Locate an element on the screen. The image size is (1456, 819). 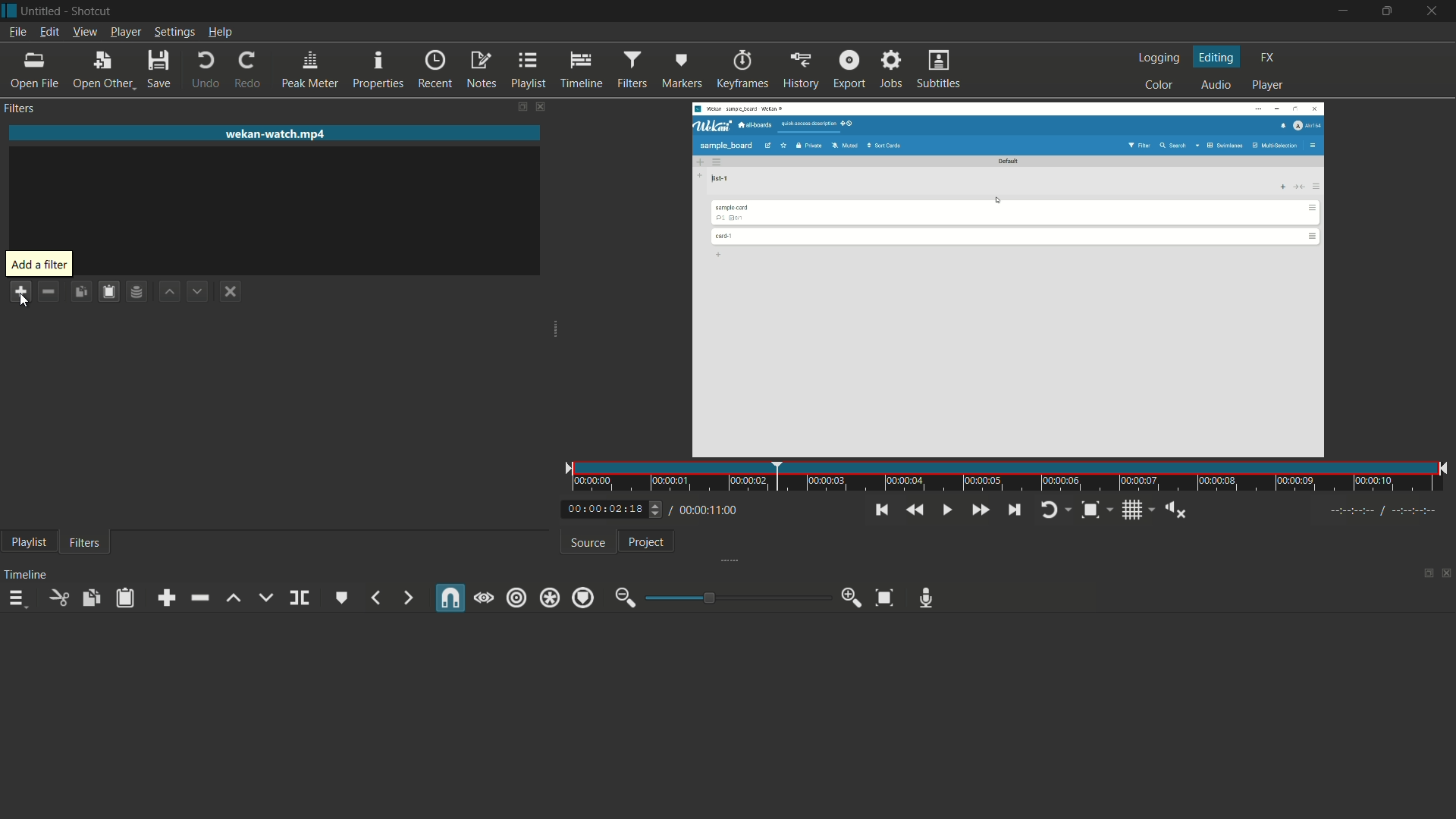
move filter down is located at coordinates (197, 291).